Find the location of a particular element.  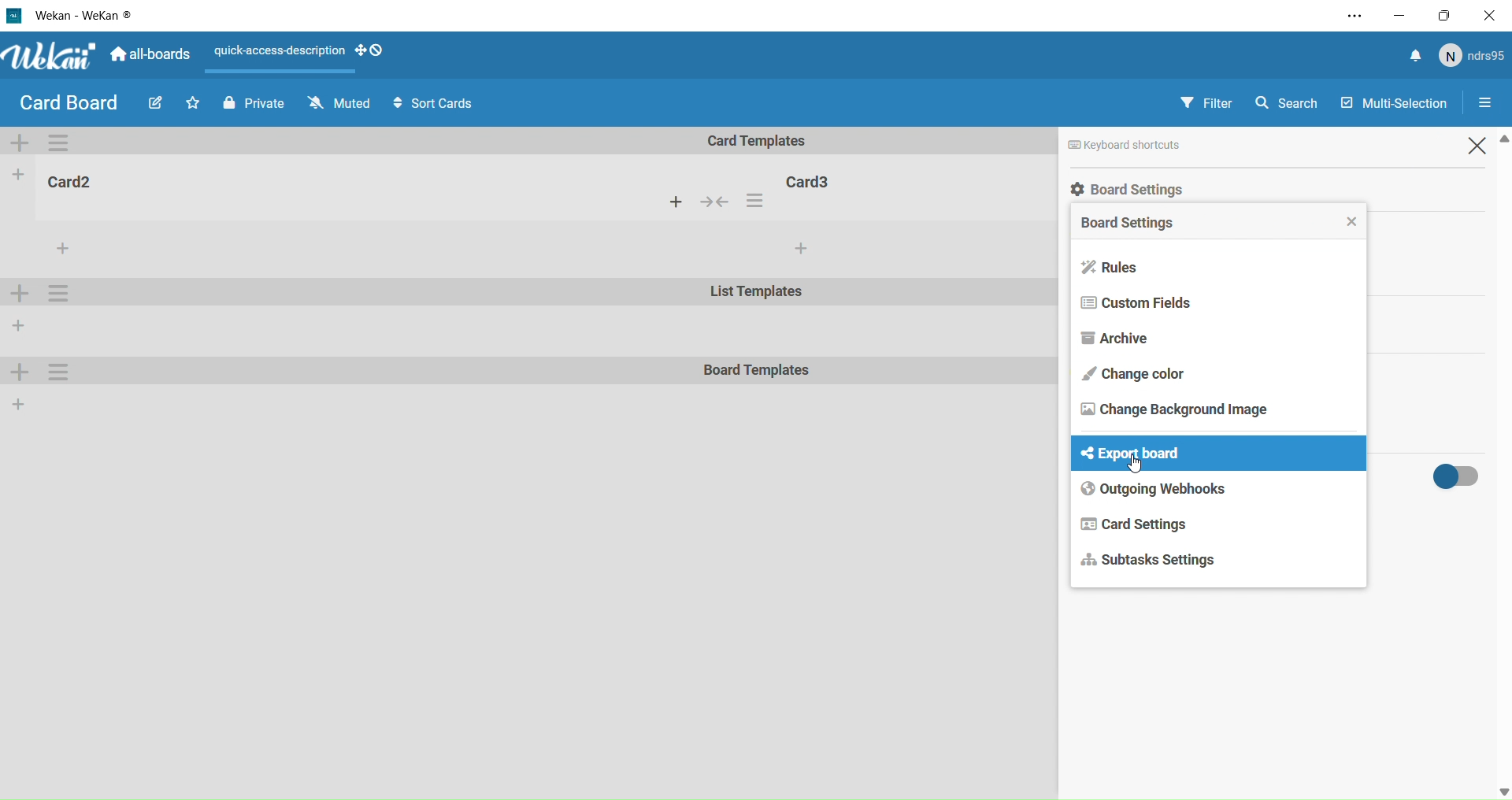

 is located at coordinates (92, 185).